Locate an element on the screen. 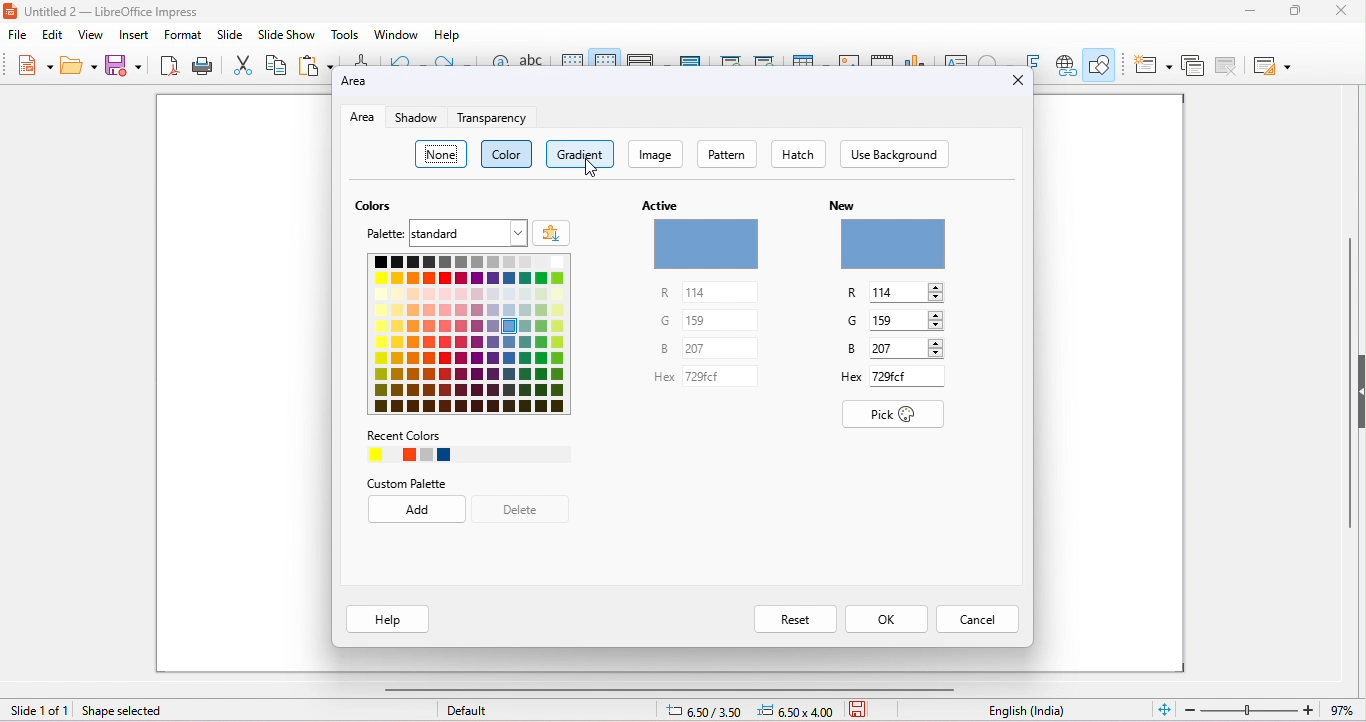  new is located at coordinates (35, 64).